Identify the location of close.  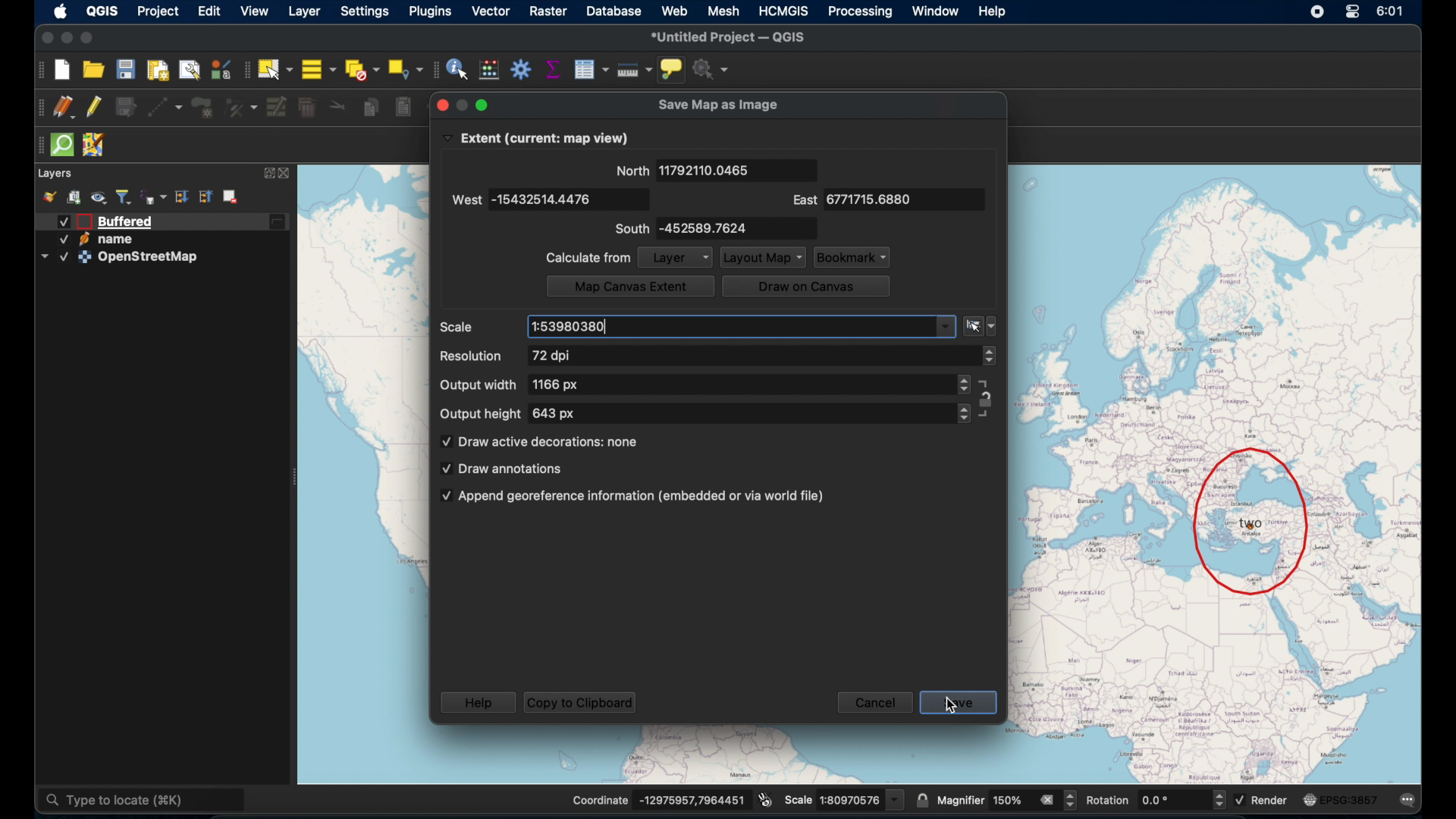
(45, 36).